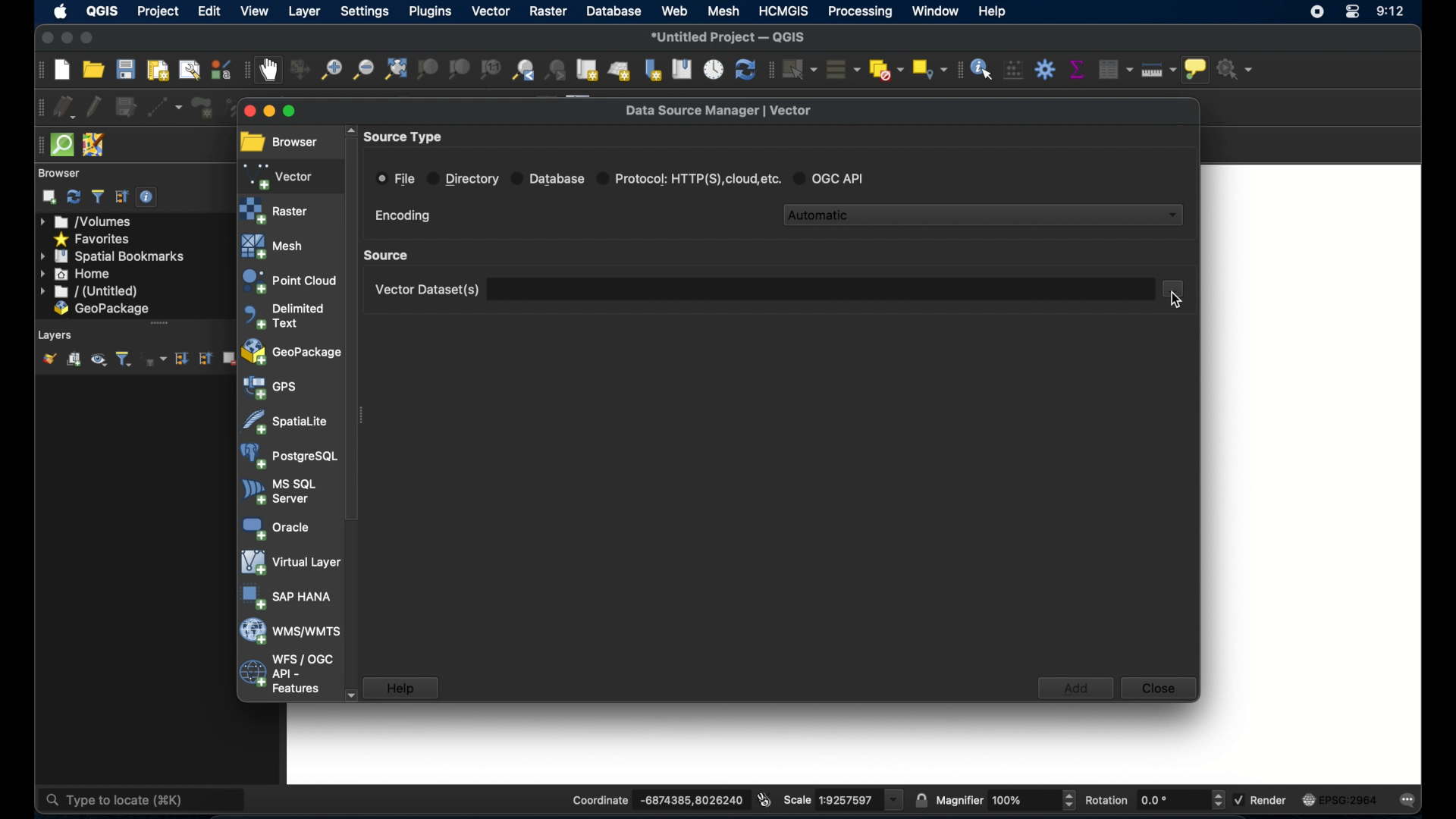  Describe the element at coordinates (94, 143) in the screenshot. I see `josh remote` at that location.